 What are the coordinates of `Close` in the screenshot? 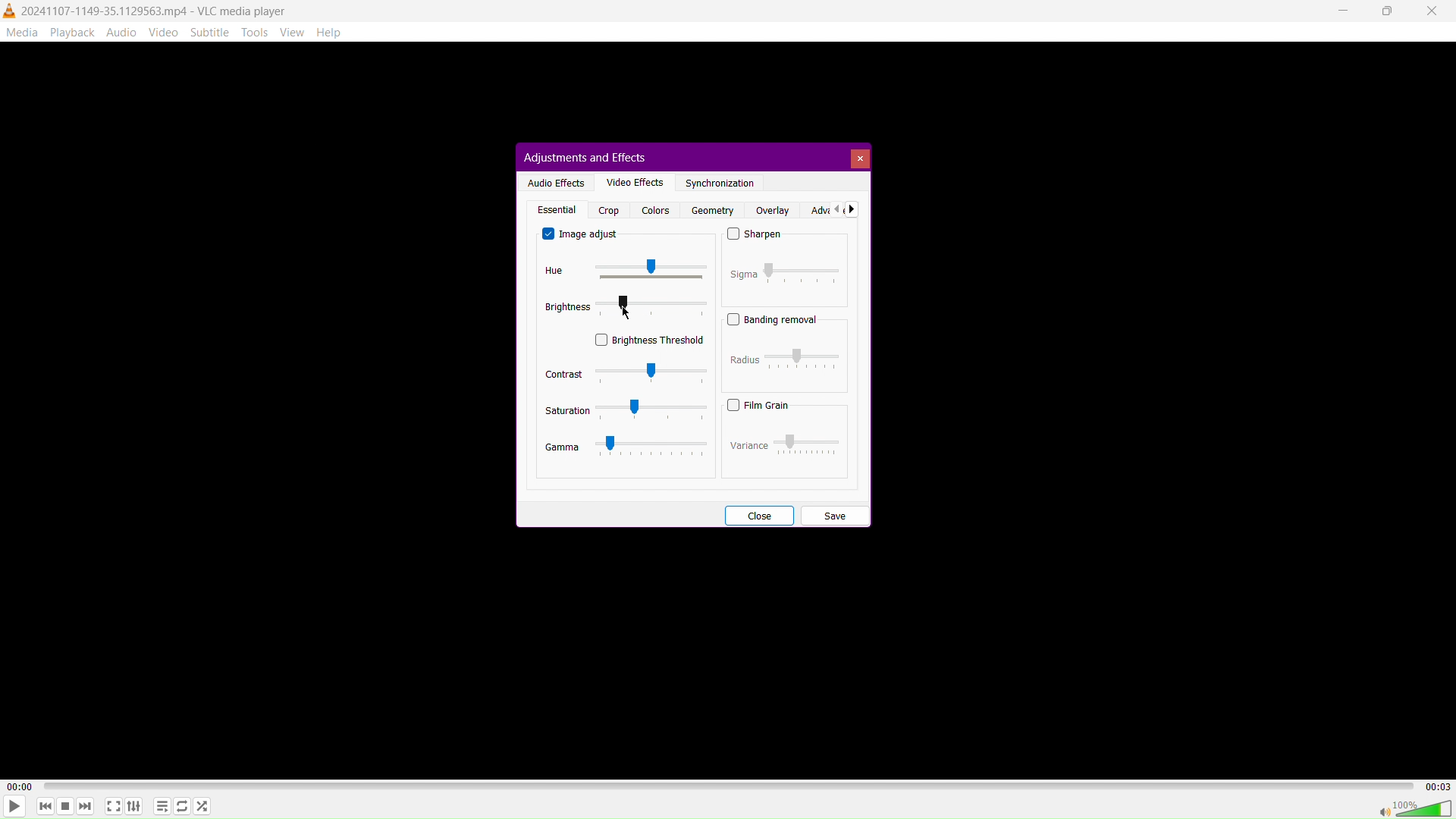 It's located at (1434, 11).